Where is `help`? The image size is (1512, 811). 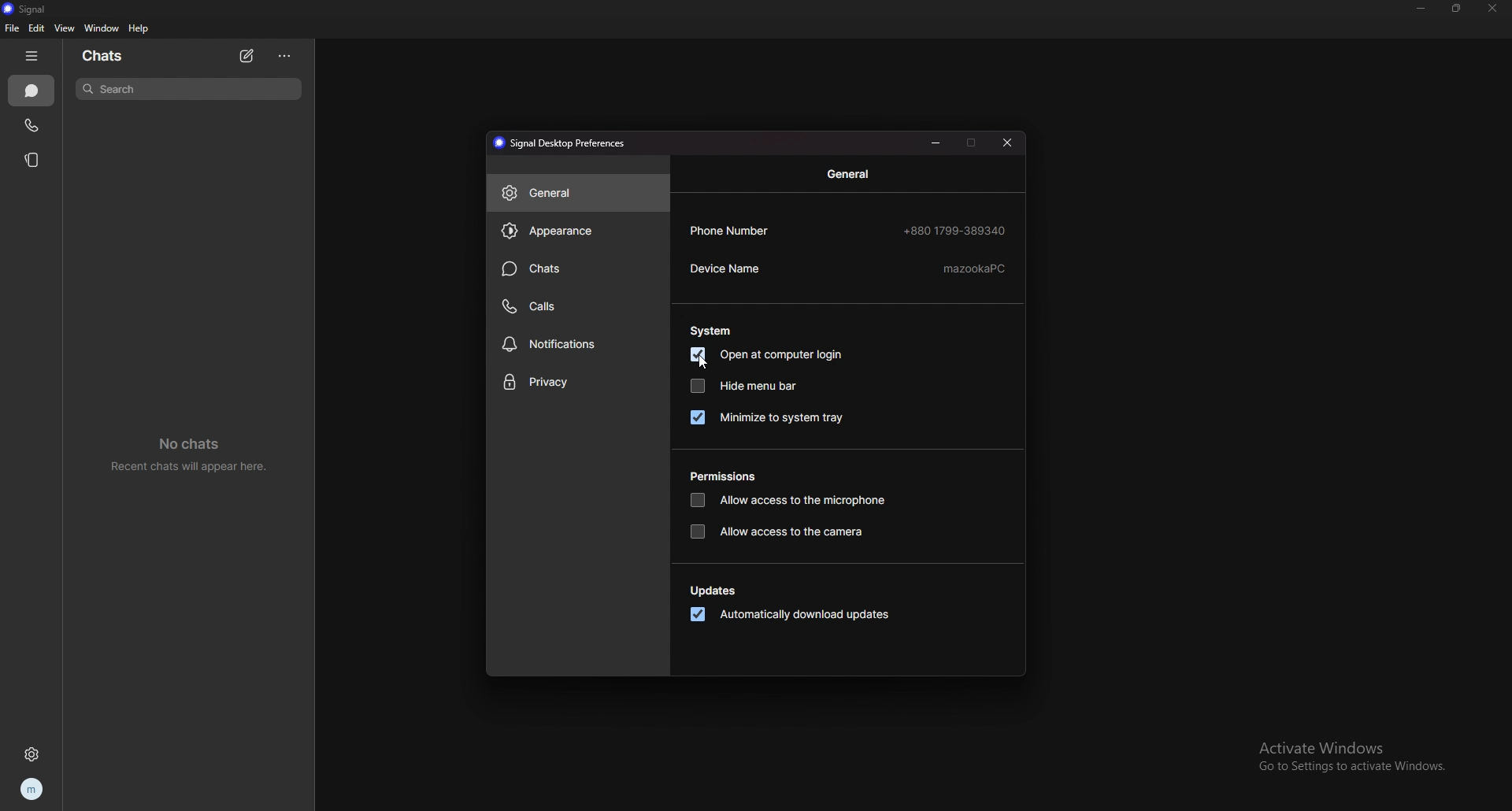 help is located at coordinates (139, 28).